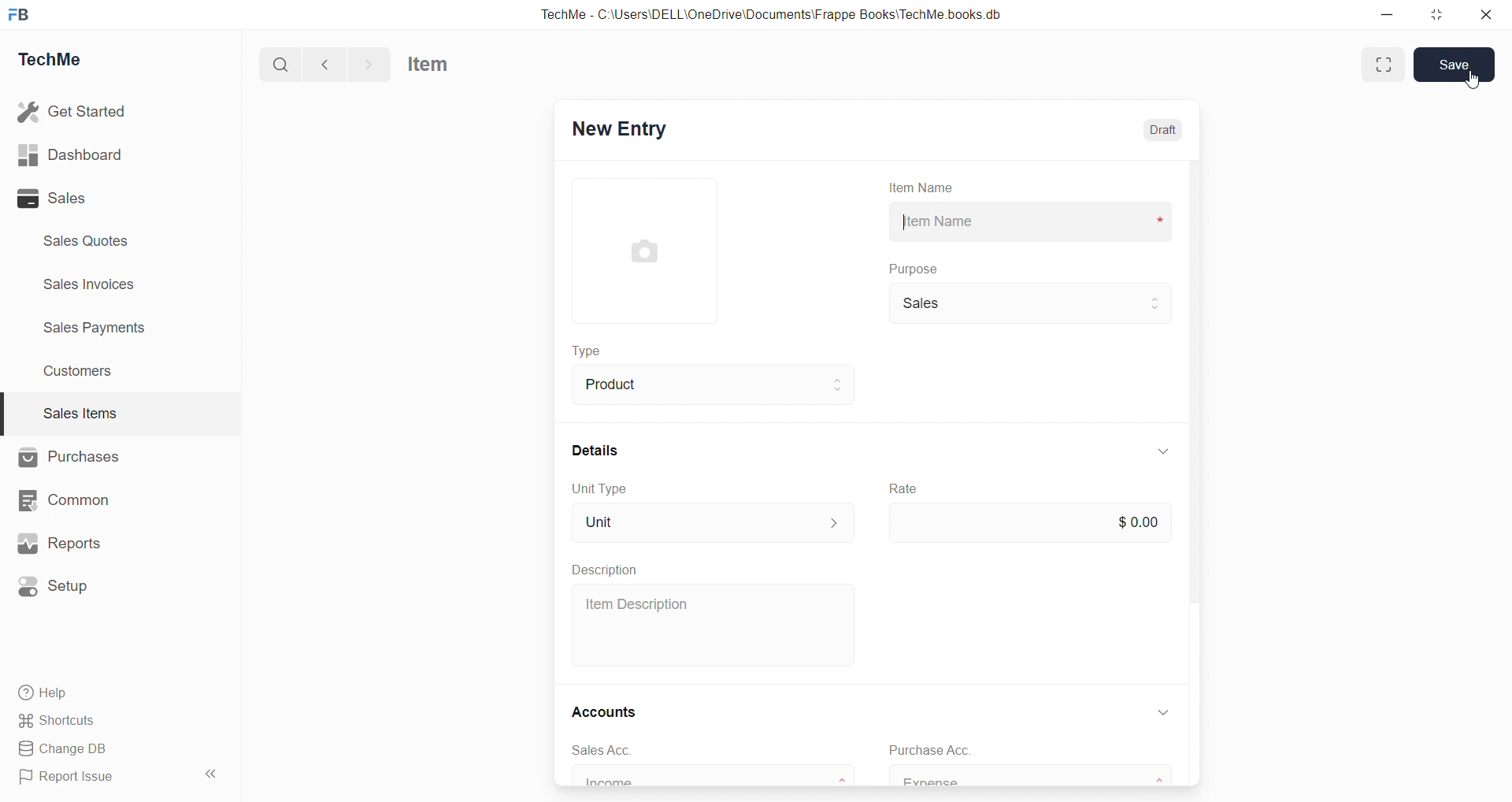 The height and width of the screenshot is (802, 1512). What do you see at coordinates (773, 14) in the screenshot?
I see `TechMe - C:\Users\DELL\OneDrive\Documents\Frappe Books\TechMe books.db` at bounding box center [773, 14].